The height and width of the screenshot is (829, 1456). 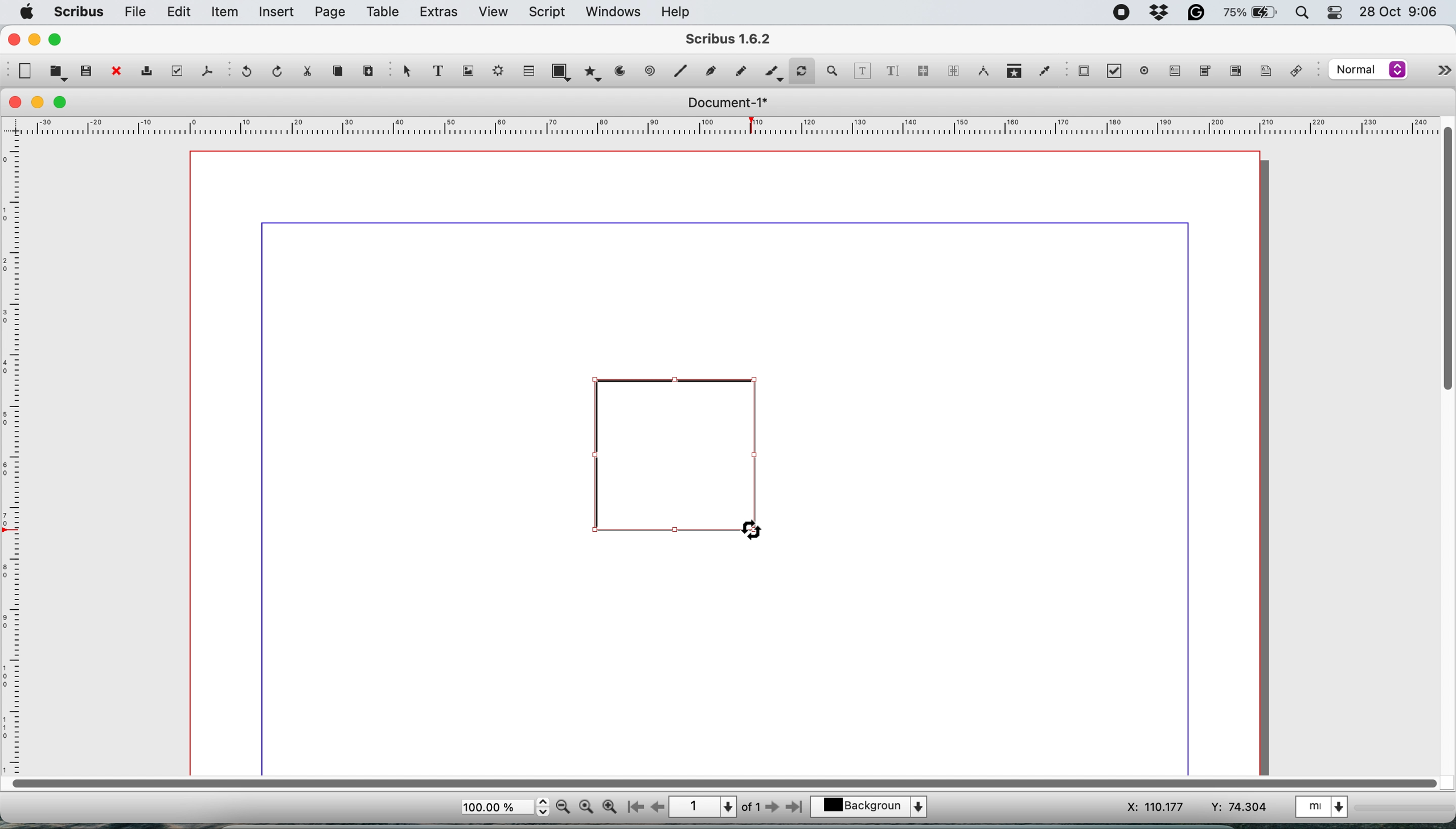 What do you see at coordinates (658, 806) in the screenshot?
I see `go to previous page` at bounding box center [658, 806].